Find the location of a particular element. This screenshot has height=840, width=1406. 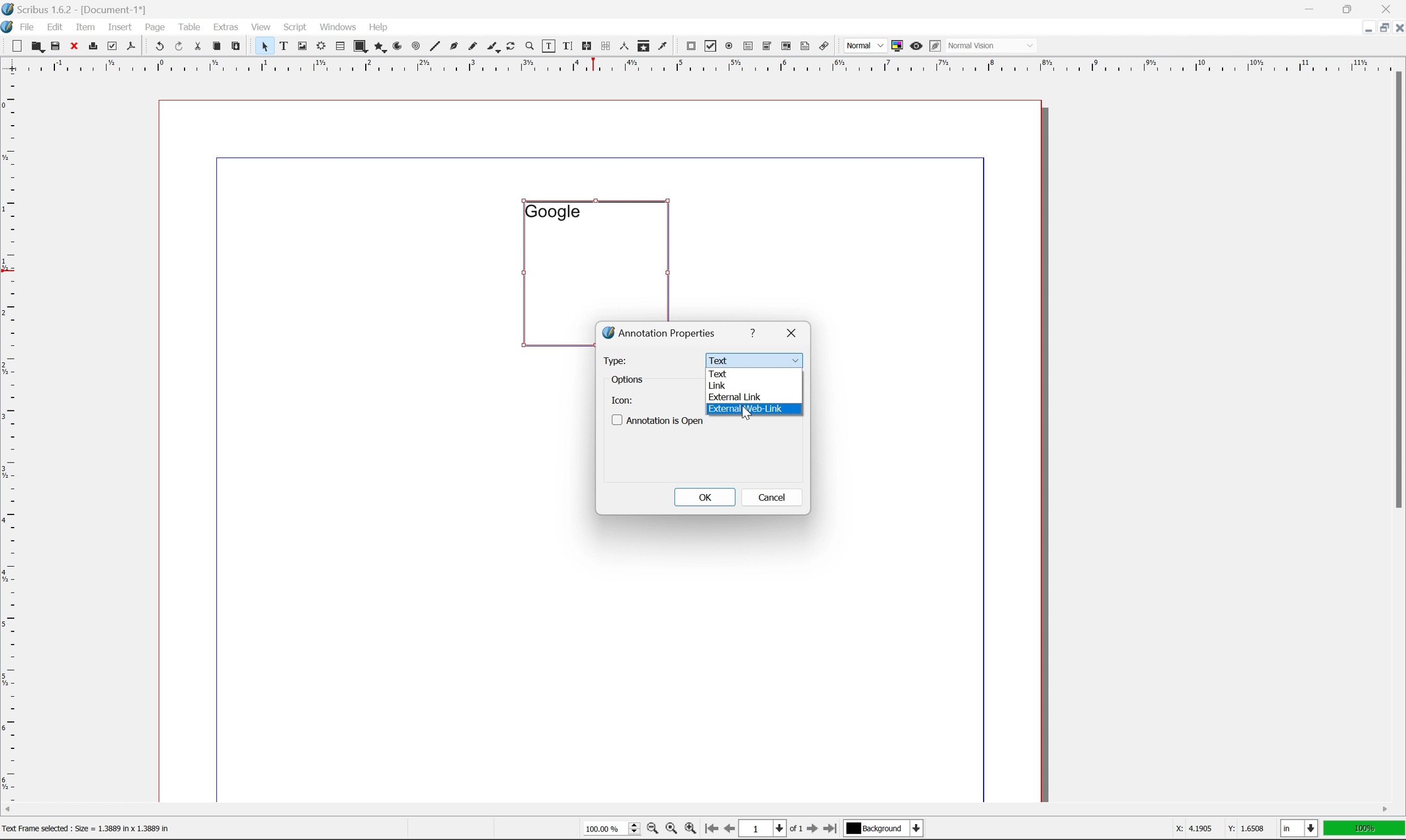

external link is located at coordinates (736, 396).